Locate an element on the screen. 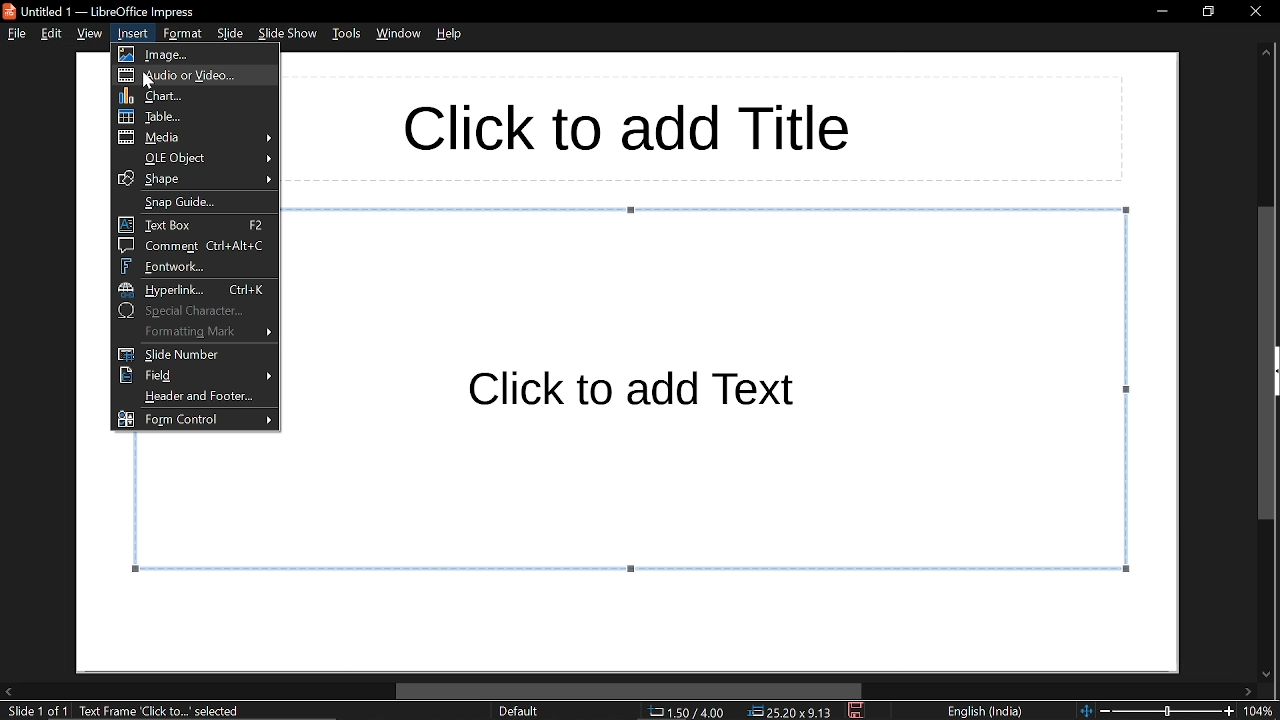  zoom change is located at coordinates (1157, 712).